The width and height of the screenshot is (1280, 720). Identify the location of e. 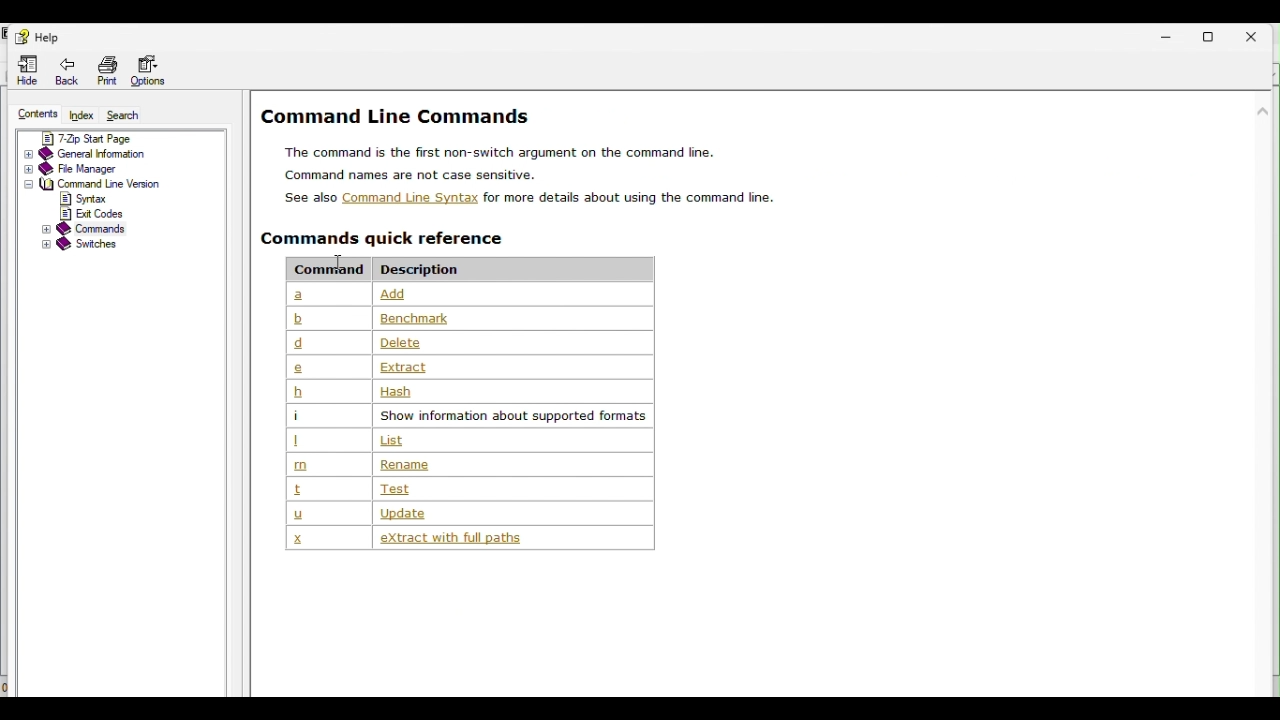
(298, 367).